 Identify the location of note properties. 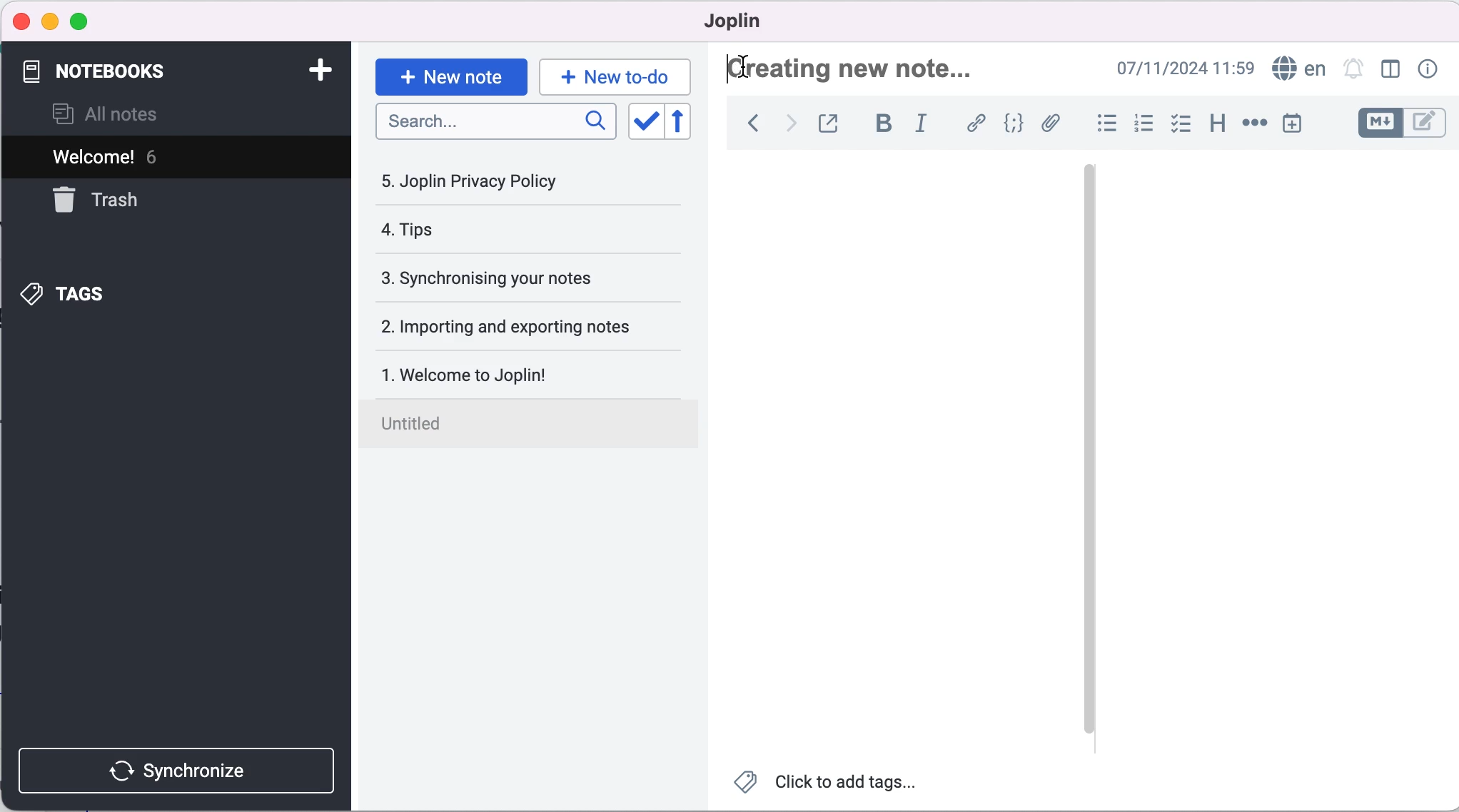
(1426, 70).